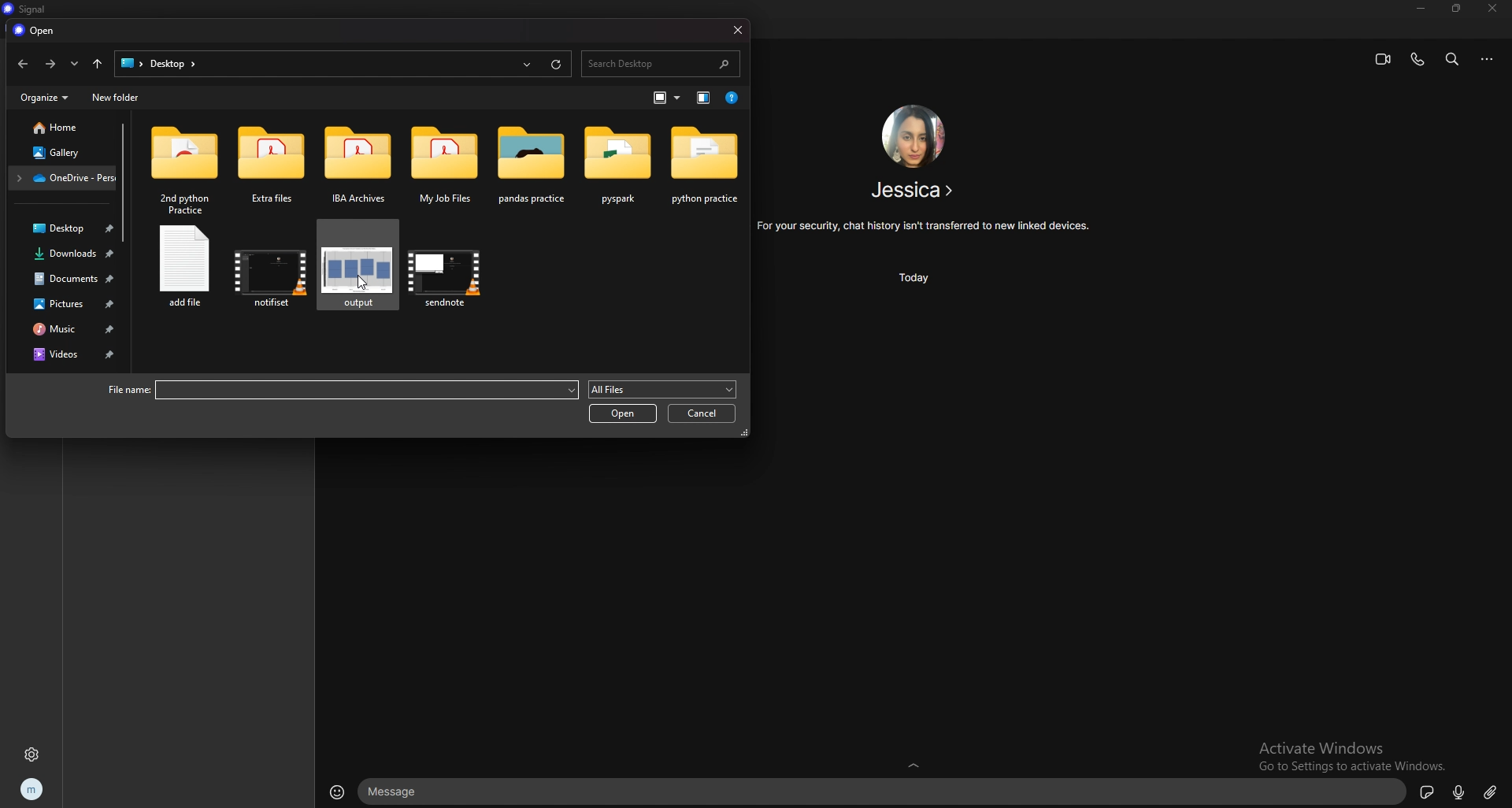  What do you see at coordinates (663, 389) in the screenshot?
I see `all files` at bounding box center [663, 389].